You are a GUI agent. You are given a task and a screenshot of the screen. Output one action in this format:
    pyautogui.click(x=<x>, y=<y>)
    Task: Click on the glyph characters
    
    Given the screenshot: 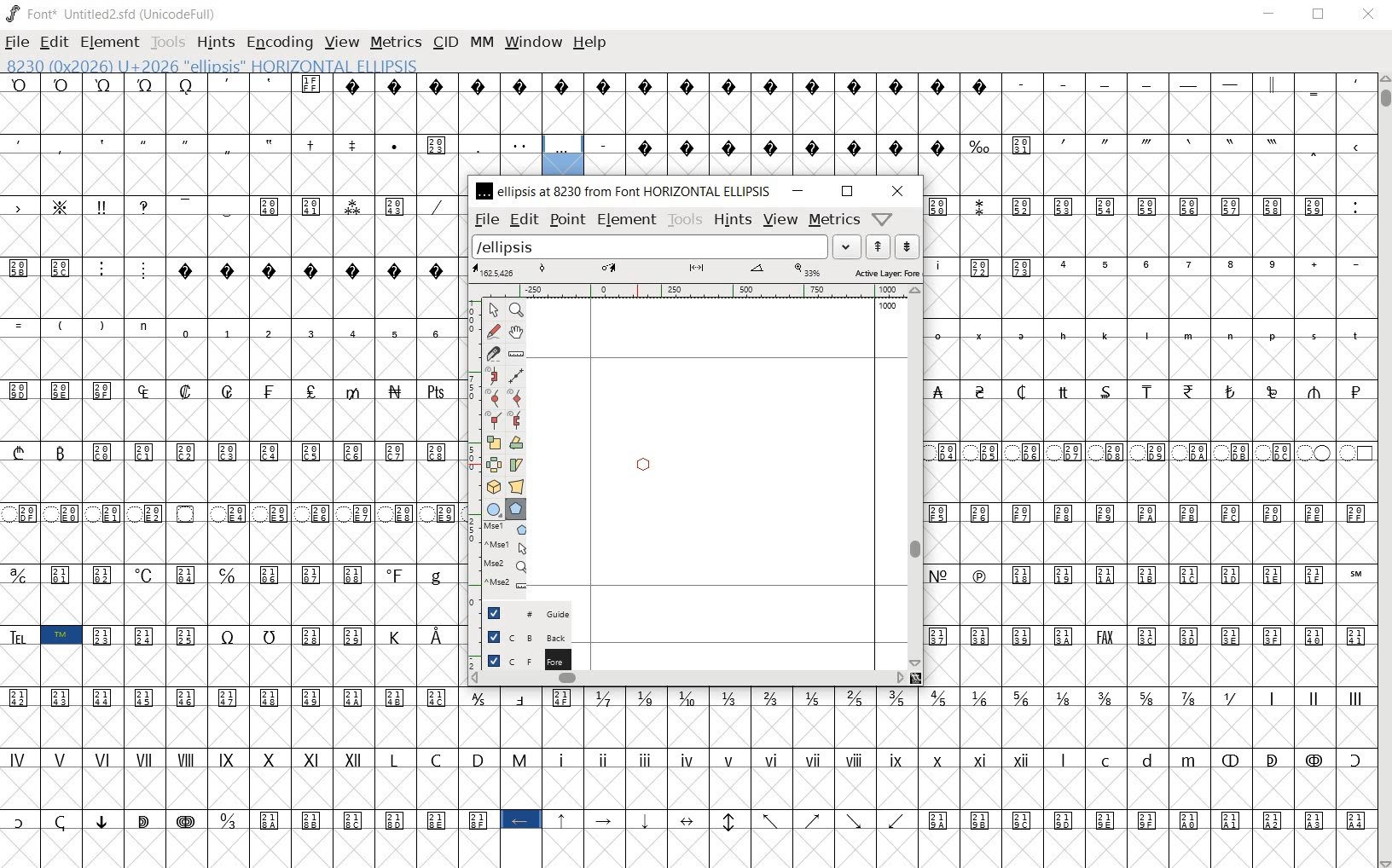 What is the action you would take?
    pyautogui.click(x=1148, y=438)
    